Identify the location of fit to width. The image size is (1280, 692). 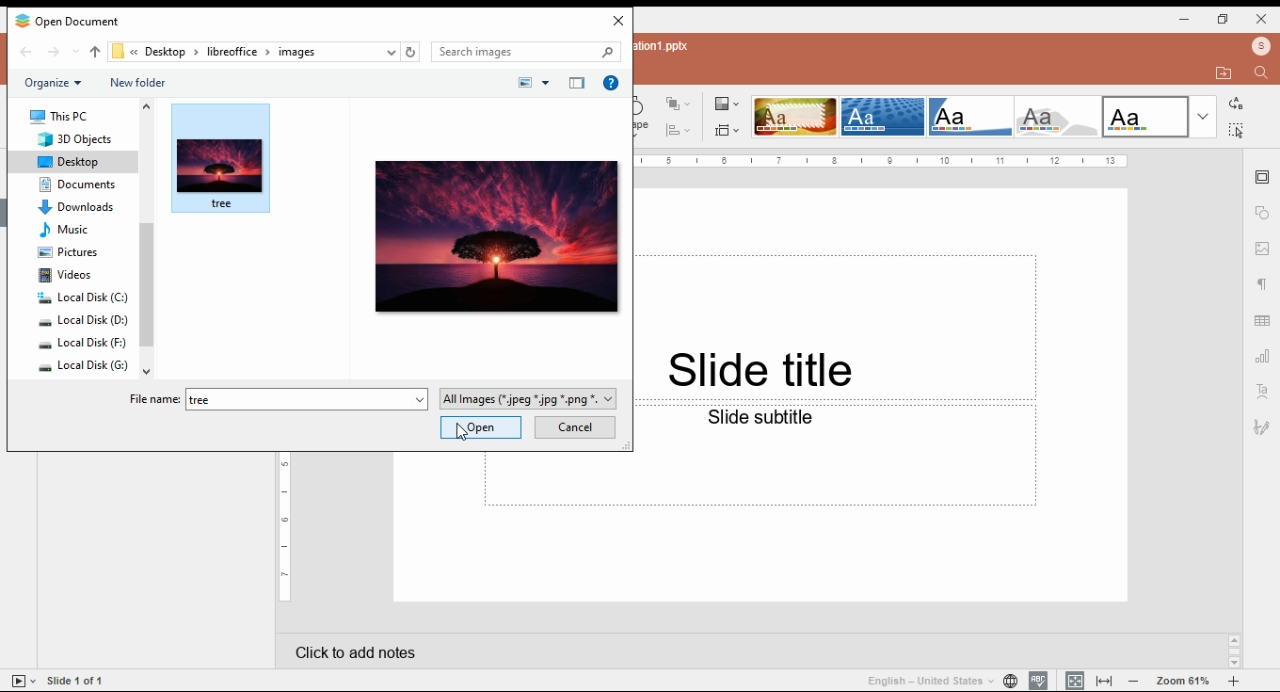
(1105, 680).